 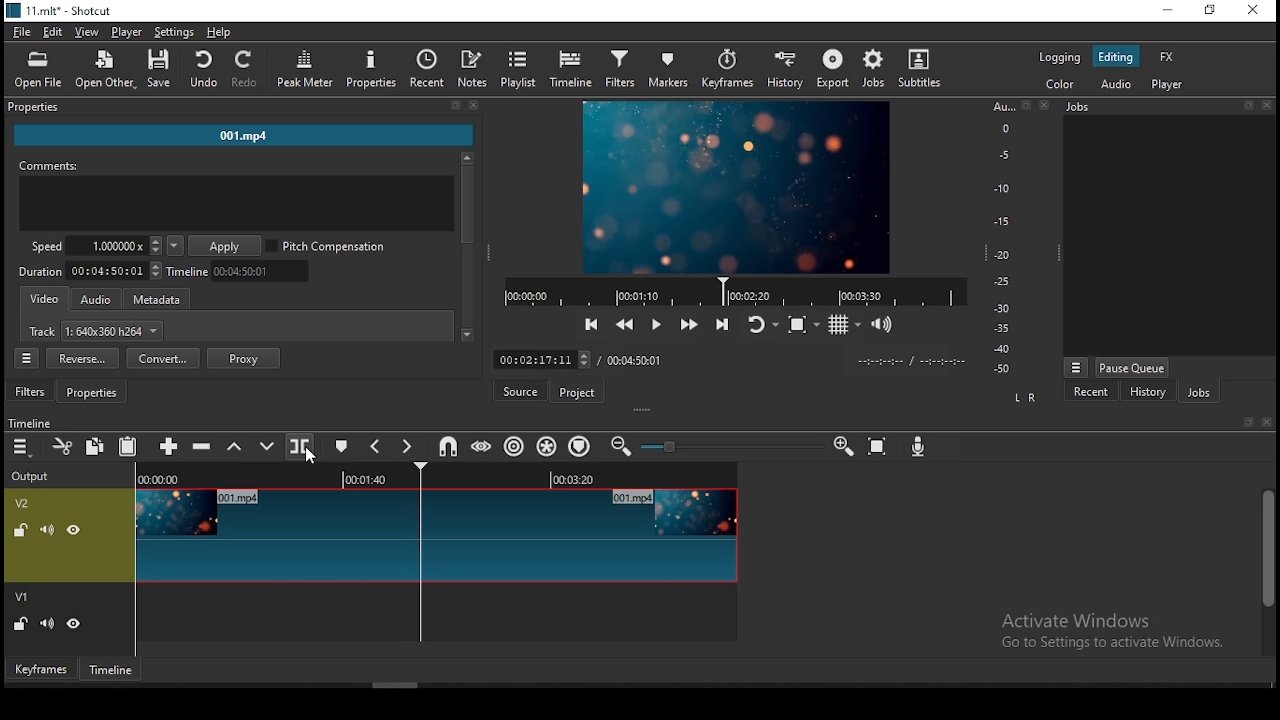 What do you see at coordinates (17, 528) in the screenshot?
I see `(UN)LOCK` at bounding box center [17, 528].